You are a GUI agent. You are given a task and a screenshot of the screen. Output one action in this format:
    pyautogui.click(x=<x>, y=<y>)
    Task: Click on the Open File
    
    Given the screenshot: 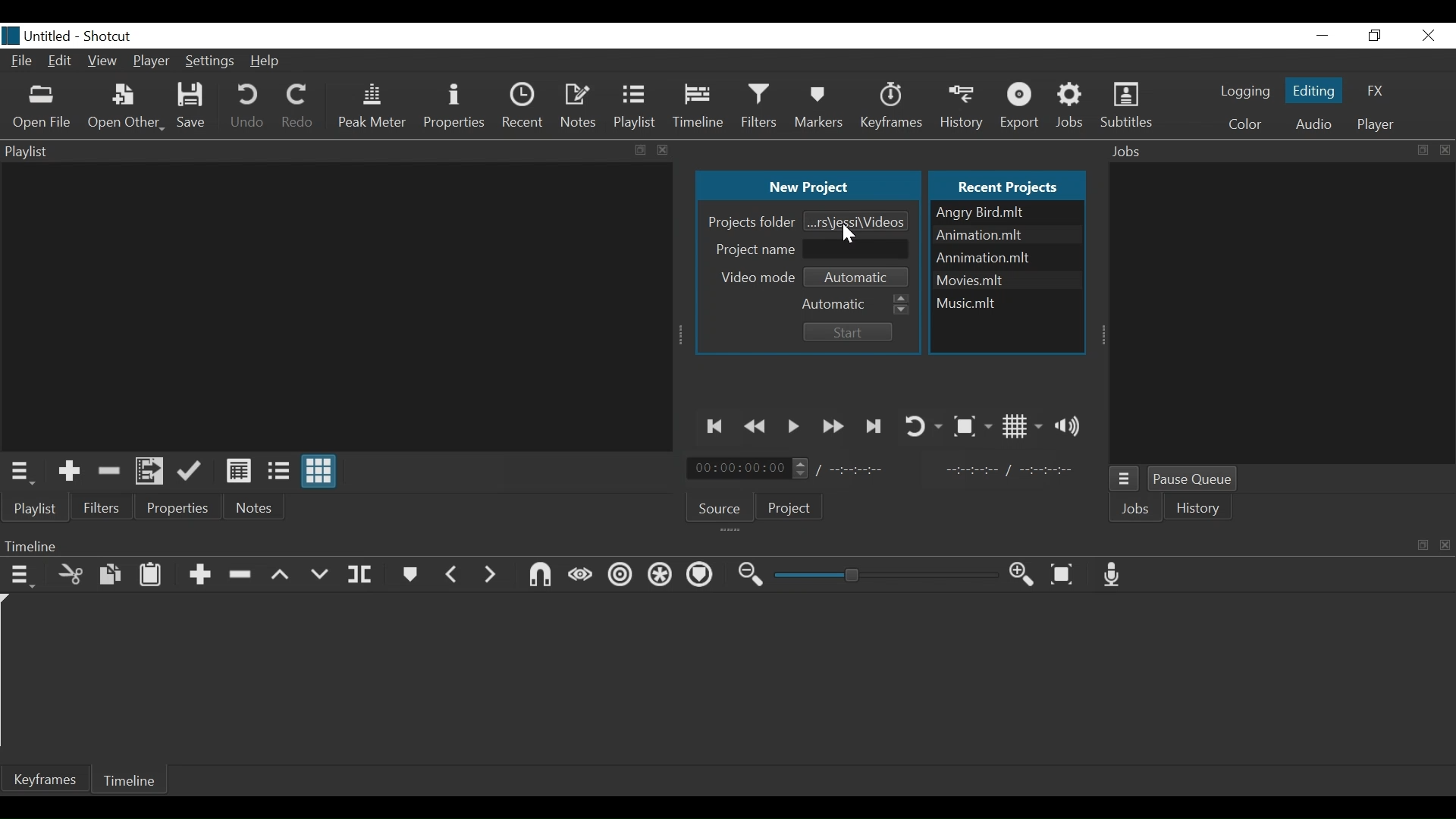 What is the action you would take?
    pyautogui.click(x=42, y=107)
    